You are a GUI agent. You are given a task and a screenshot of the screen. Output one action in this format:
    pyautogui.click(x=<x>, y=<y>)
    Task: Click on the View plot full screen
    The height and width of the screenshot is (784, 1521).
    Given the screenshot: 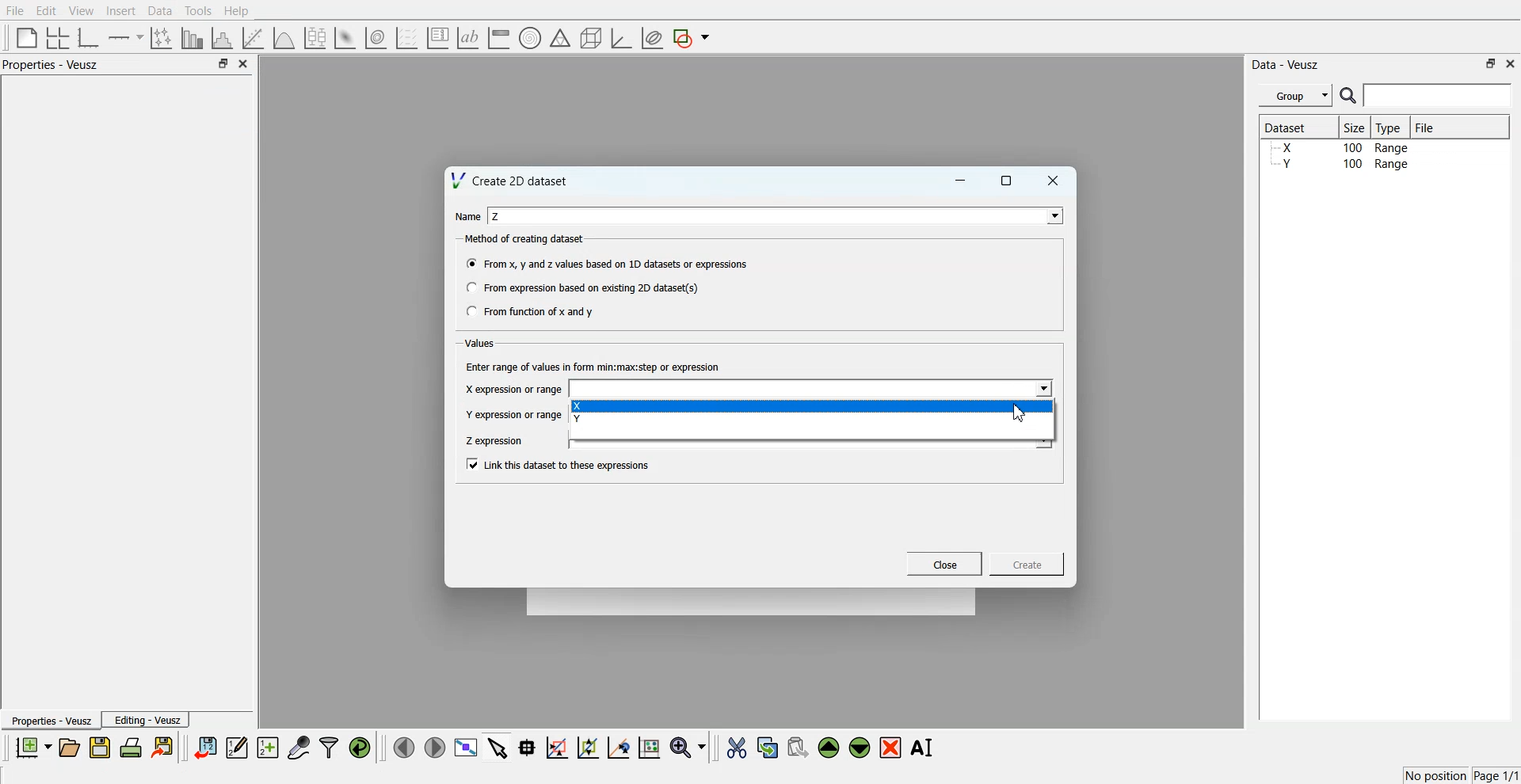 What is the action you would take?
    pyautogui.click(x=467, y=747)
    